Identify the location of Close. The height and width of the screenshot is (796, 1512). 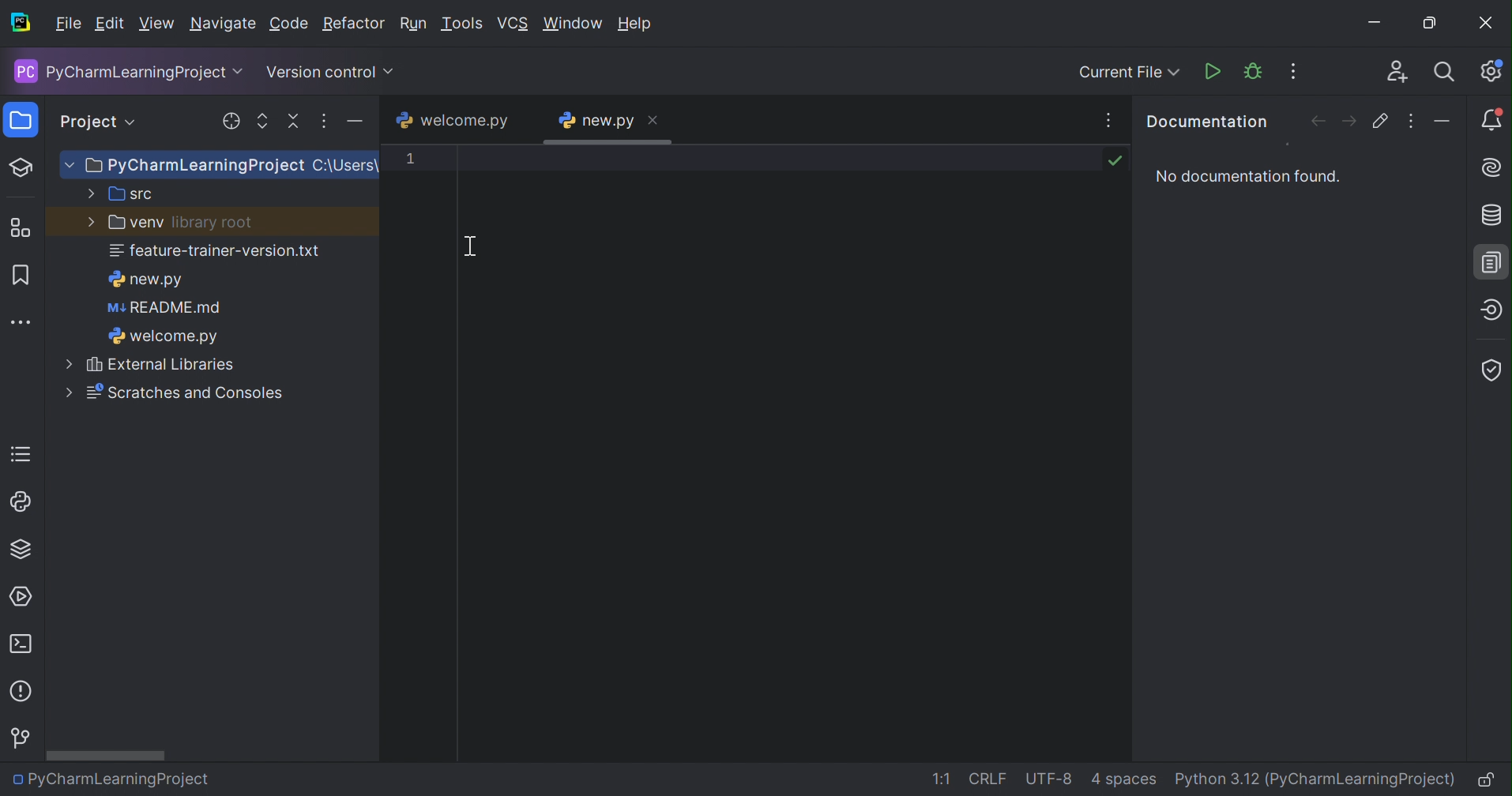
(1488, 24).